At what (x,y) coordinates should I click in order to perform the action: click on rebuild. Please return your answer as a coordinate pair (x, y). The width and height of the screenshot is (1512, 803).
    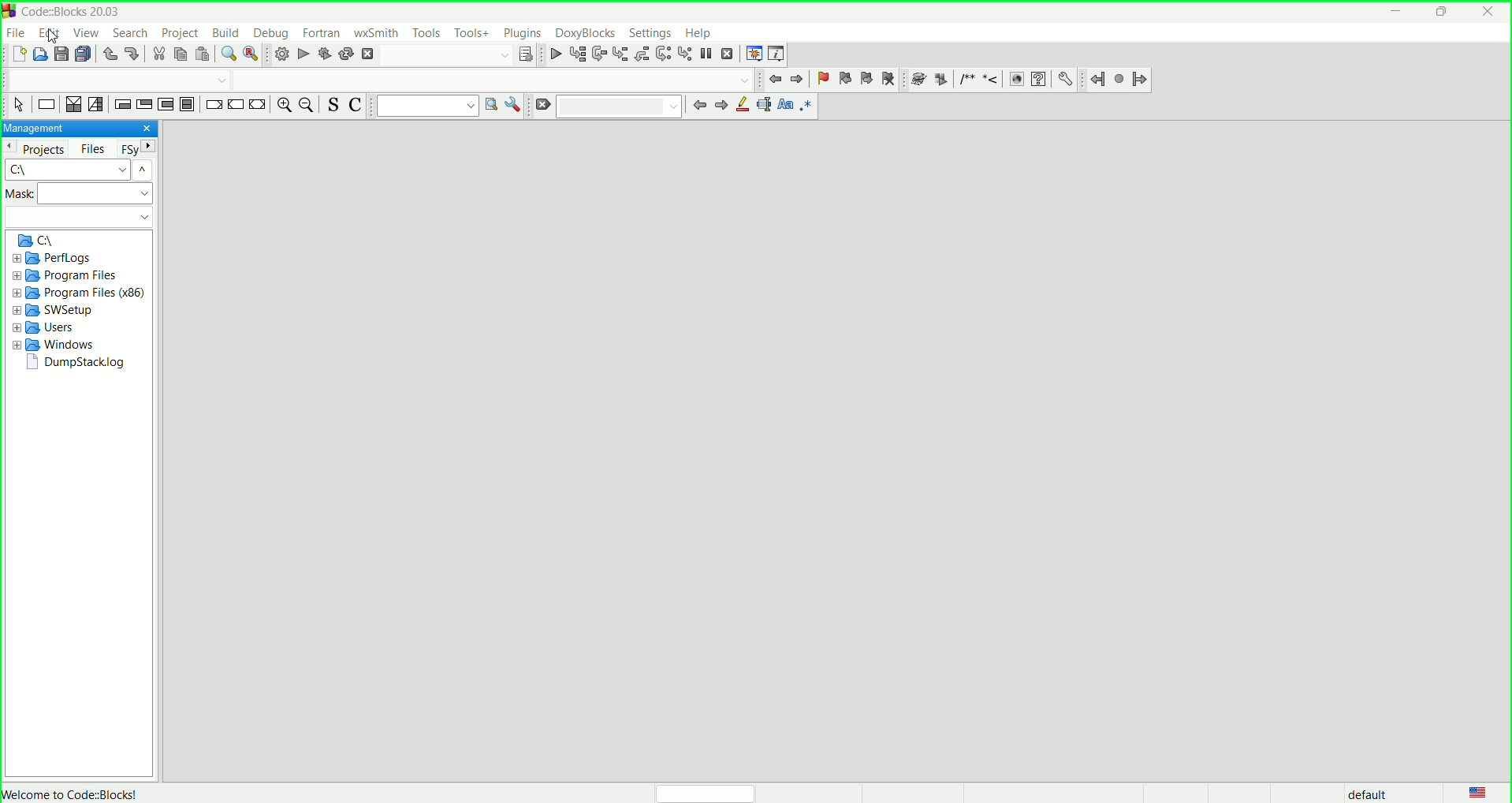
    Looking at the image, I should click on (345, 54).